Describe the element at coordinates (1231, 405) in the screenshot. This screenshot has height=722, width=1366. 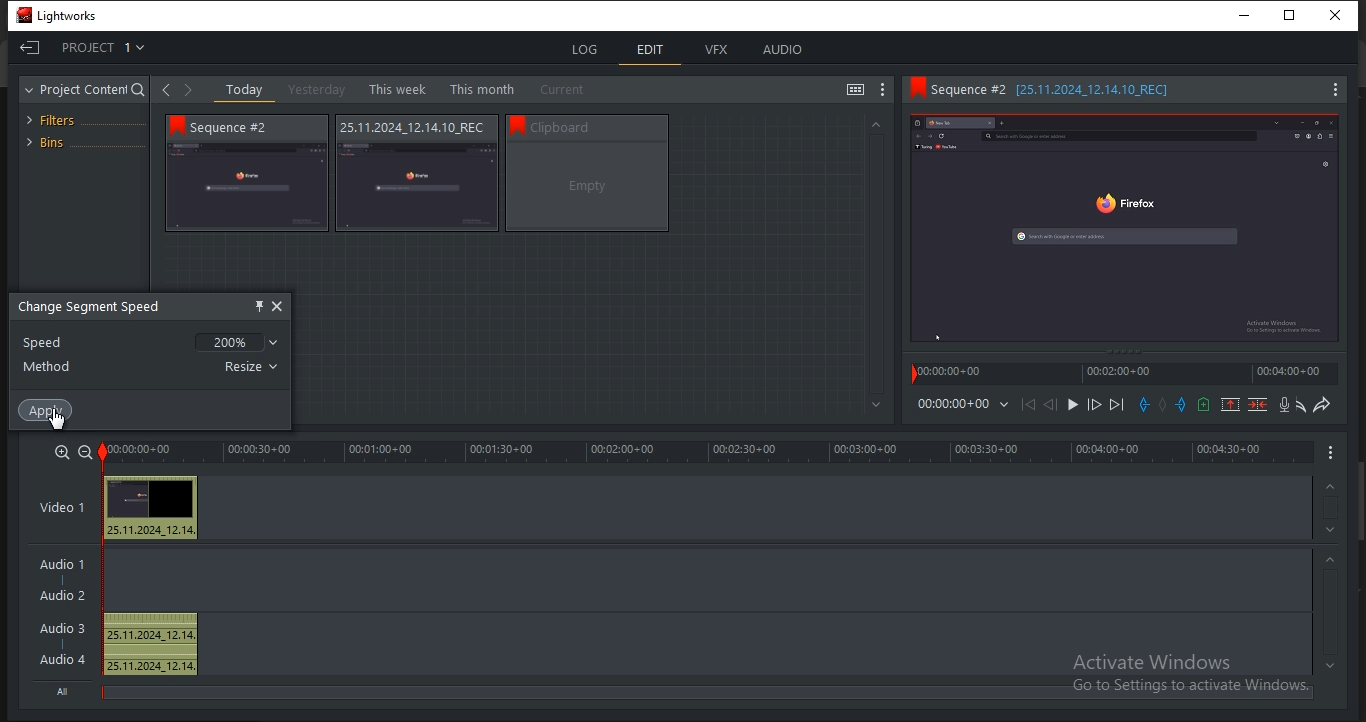
I see `remove a marked section` at that location.